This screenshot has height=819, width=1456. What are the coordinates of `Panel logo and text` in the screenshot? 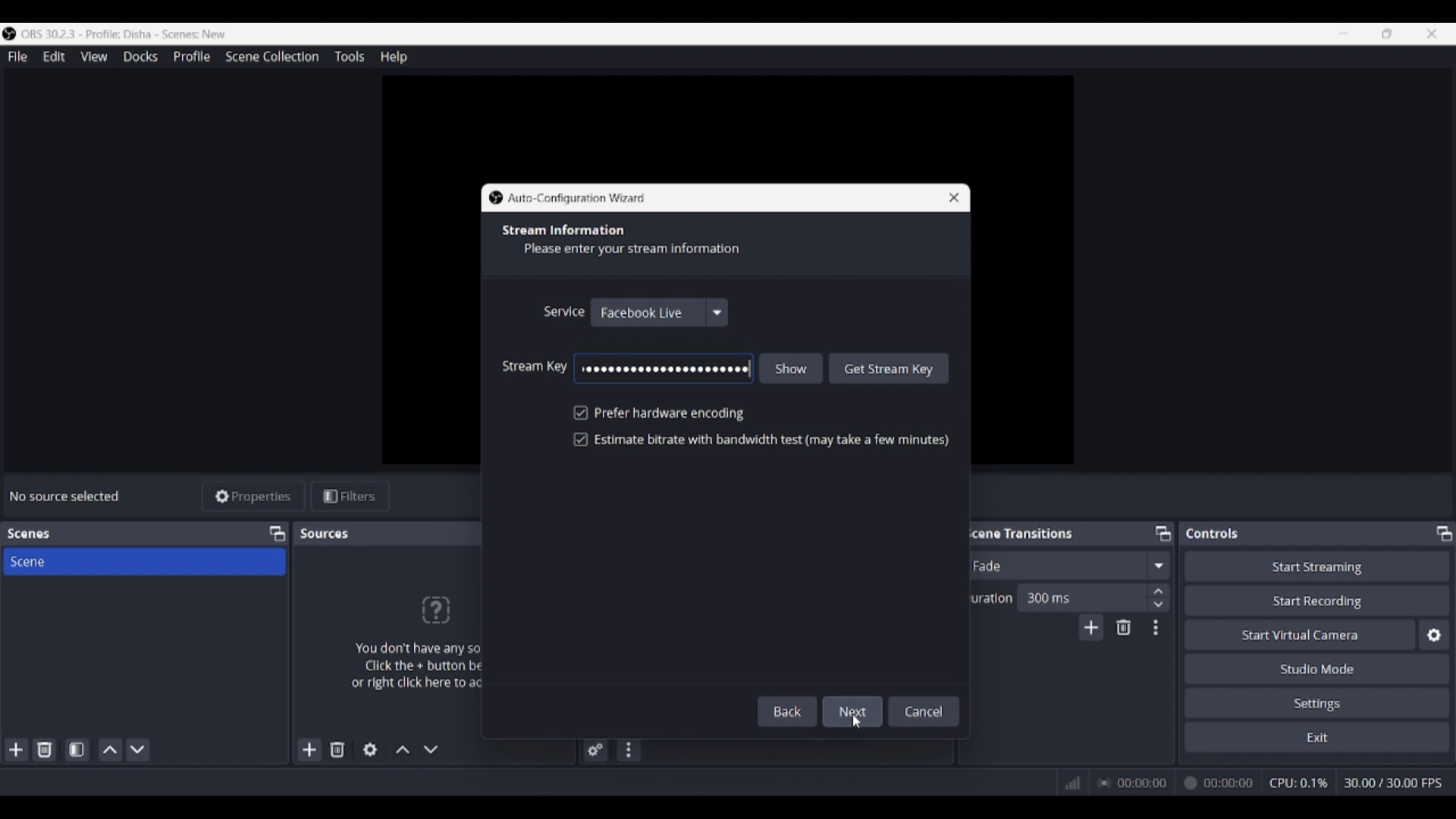 It's located at (409, 642).